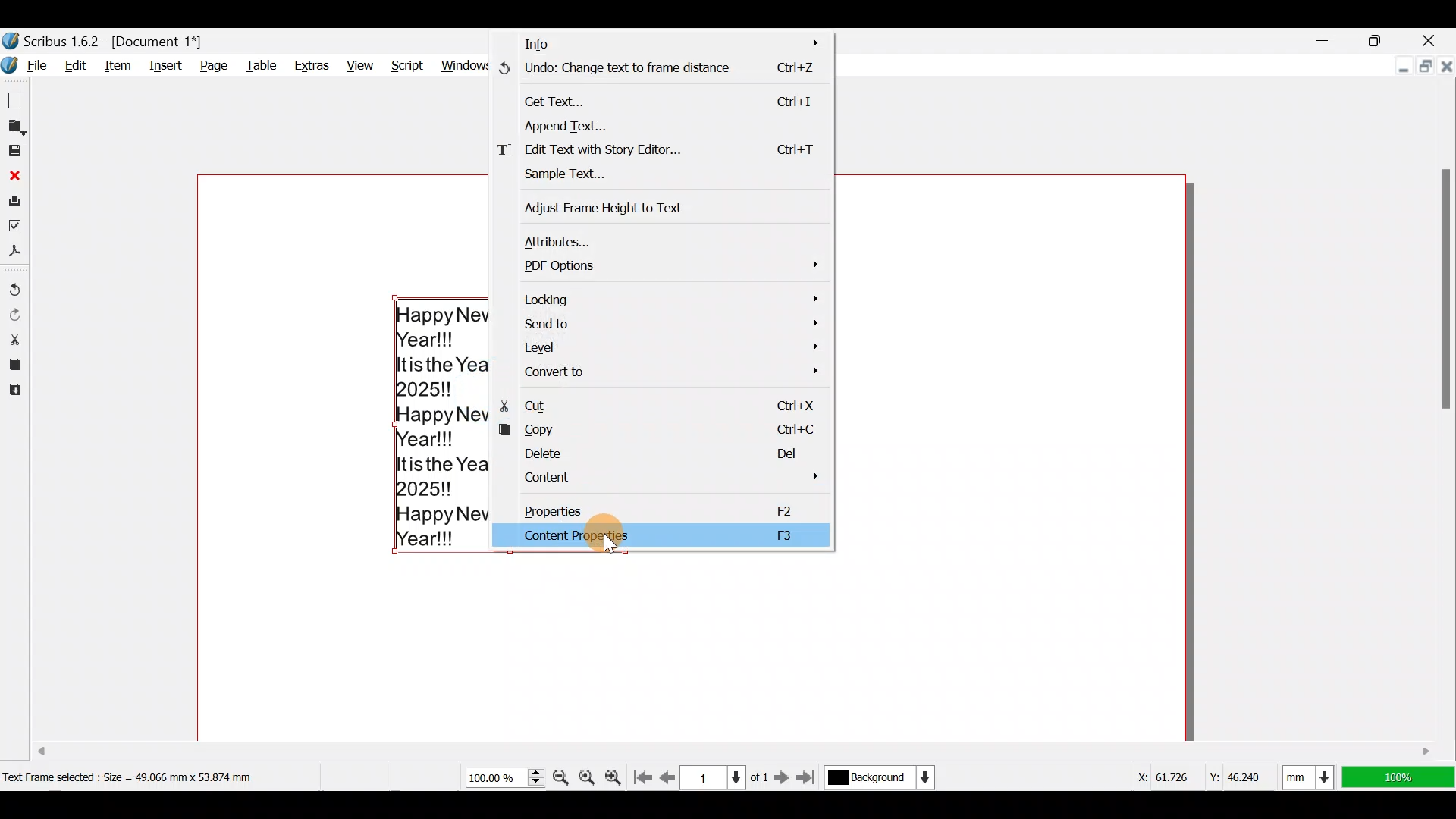 This screenshot has height=819, width=1456. What do you see at coordinates (502, 778) in the screenshot?
I see `Current zoom level` at bounding box center [502, 778].